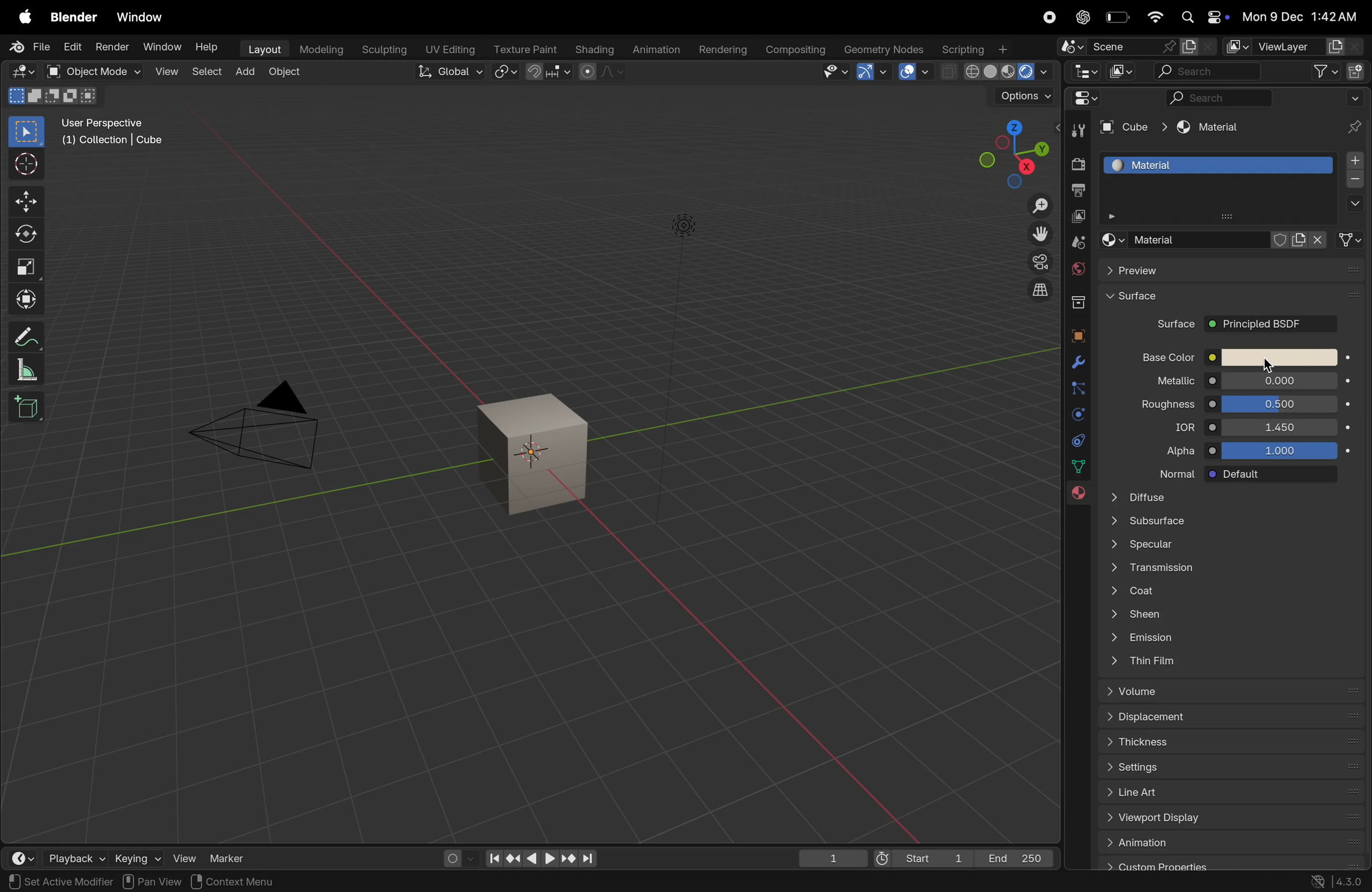 This screenshot has width=1372, height=892. What do you see at coordinates (1154, 17) in the screenshot?
I see `wifi` at bounding box center [1154, 17].